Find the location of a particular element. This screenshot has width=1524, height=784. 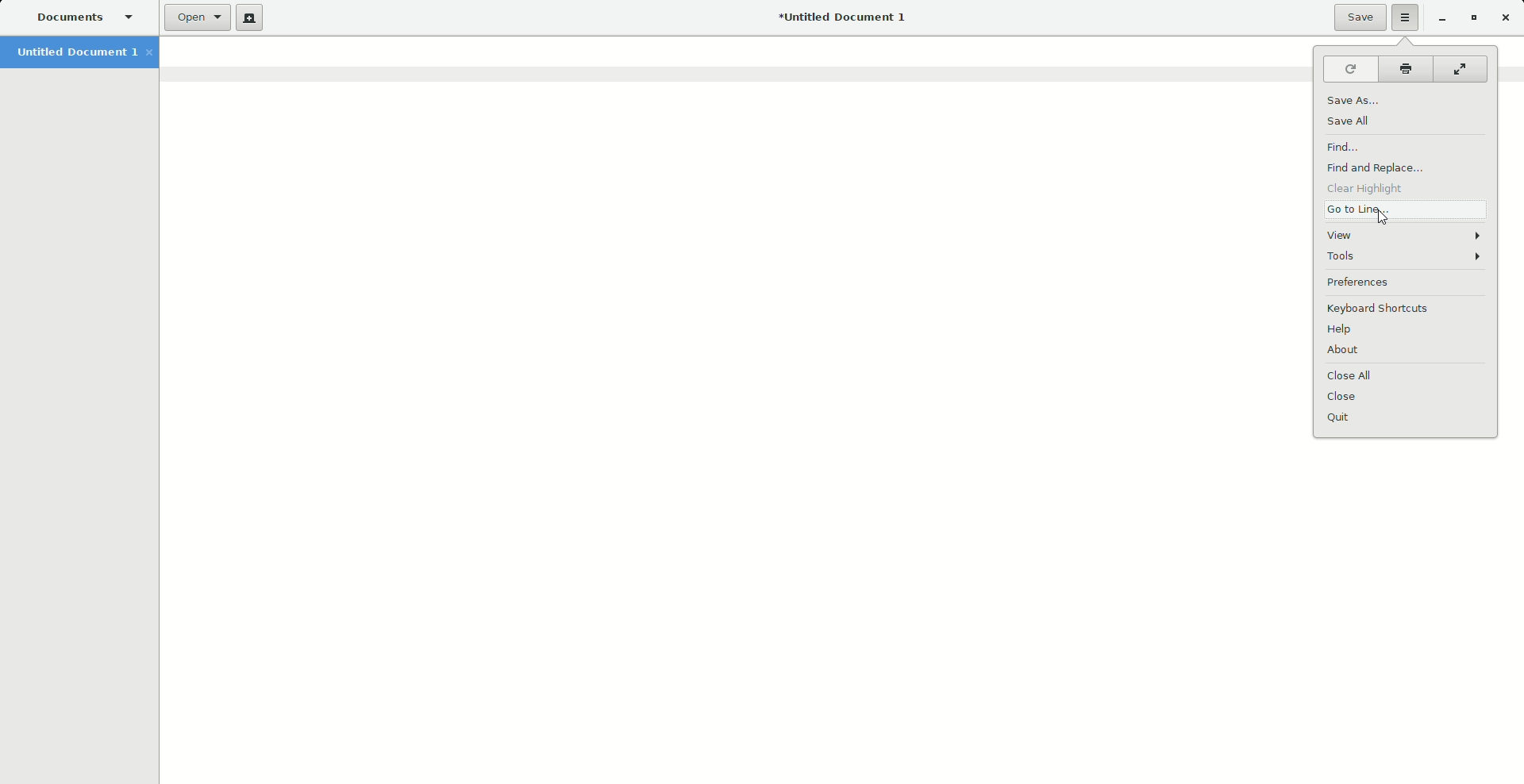

Preferences is located at coordinates (1378, 282).